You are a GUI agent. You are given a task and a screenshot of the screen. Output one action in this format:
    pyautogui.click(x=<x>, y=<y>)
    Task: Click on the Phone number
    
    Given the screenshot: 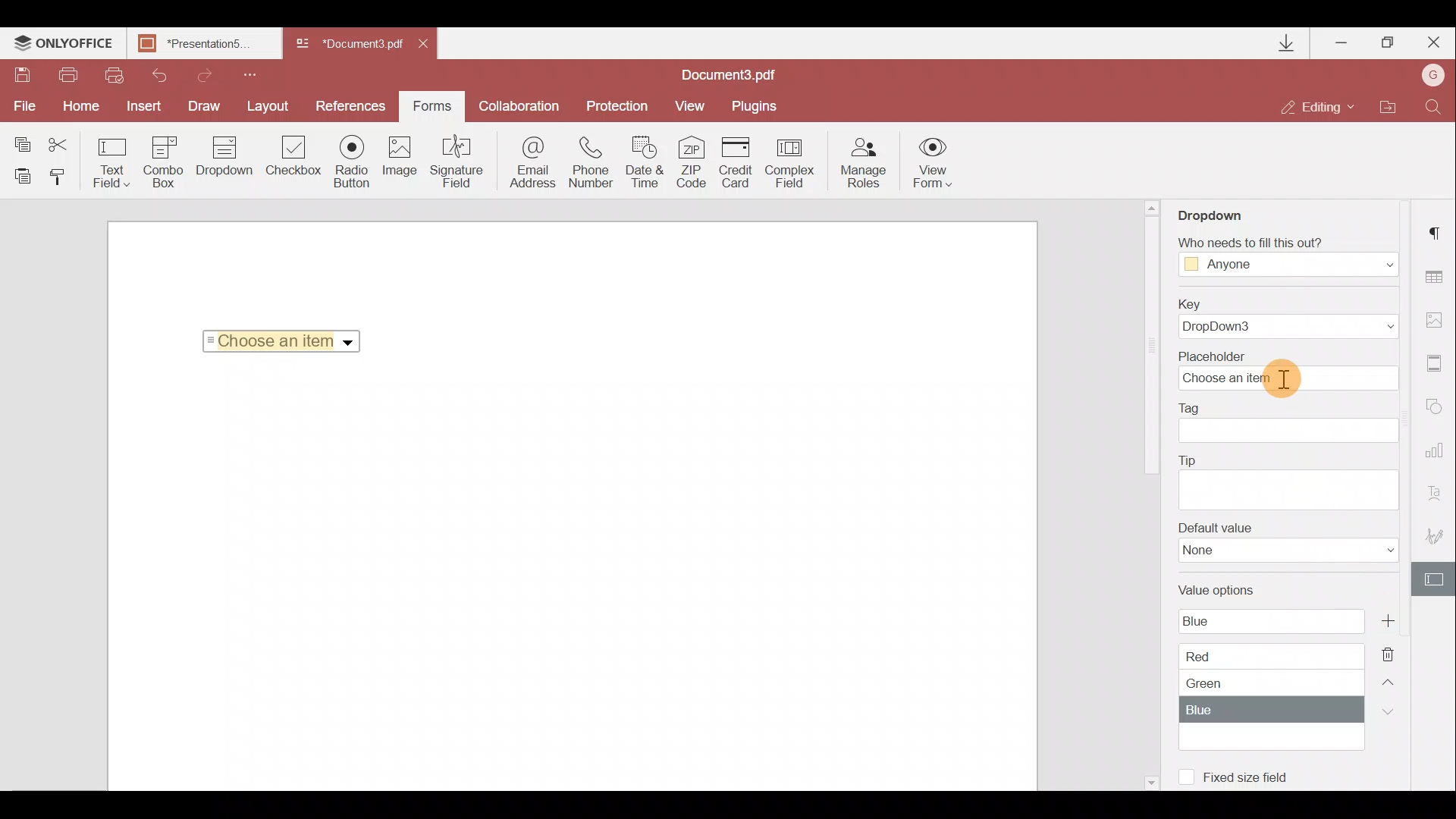 What is the action you would take?
    pyautogui.click(x=593, y=162)
    